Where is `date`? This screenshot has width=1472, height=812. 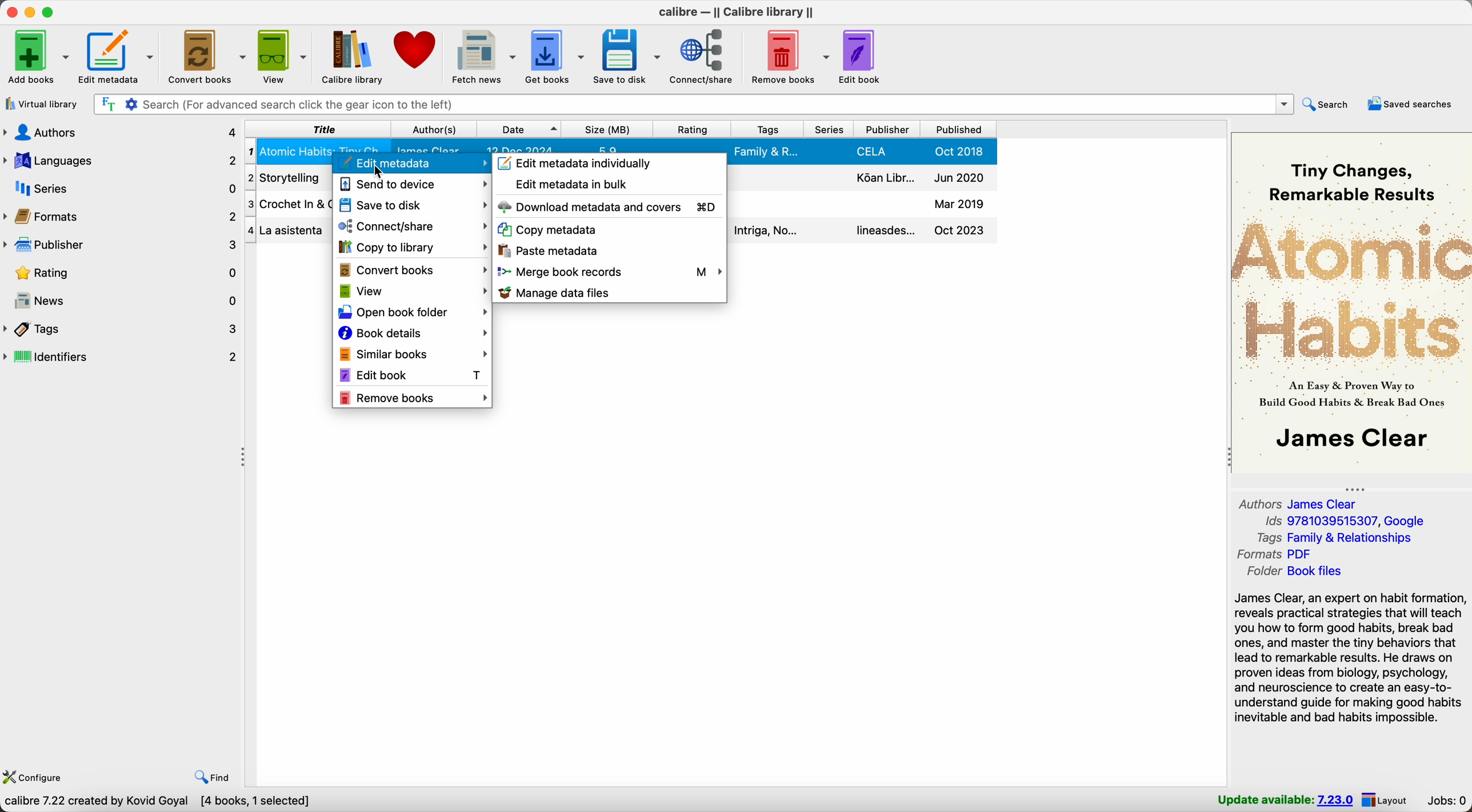
date is located at coordinates (519, 129).